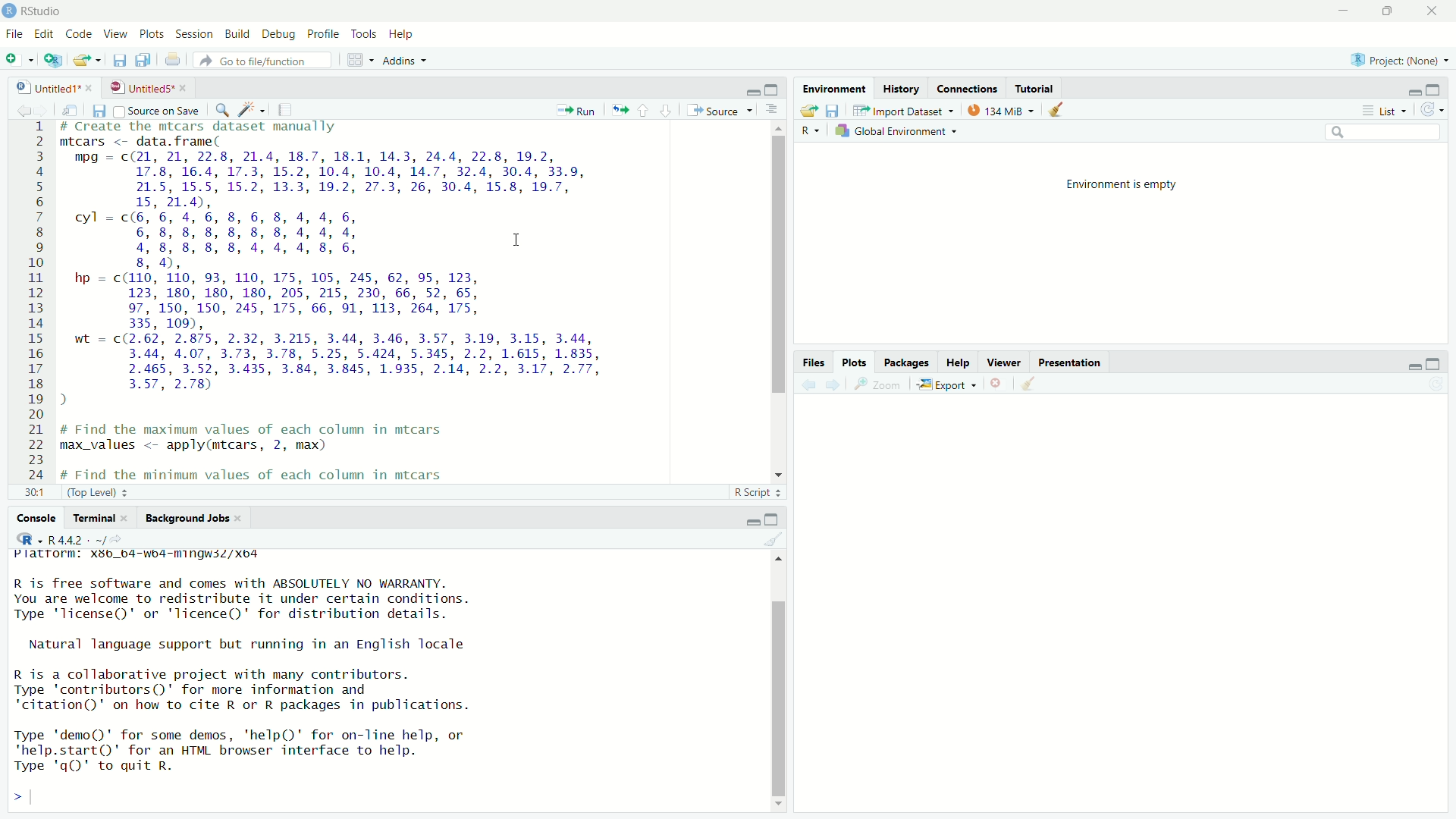 The image size is (1456, 819). Describe the element at coordinates (118, 33) in the screenshot. I see `View` at that location.